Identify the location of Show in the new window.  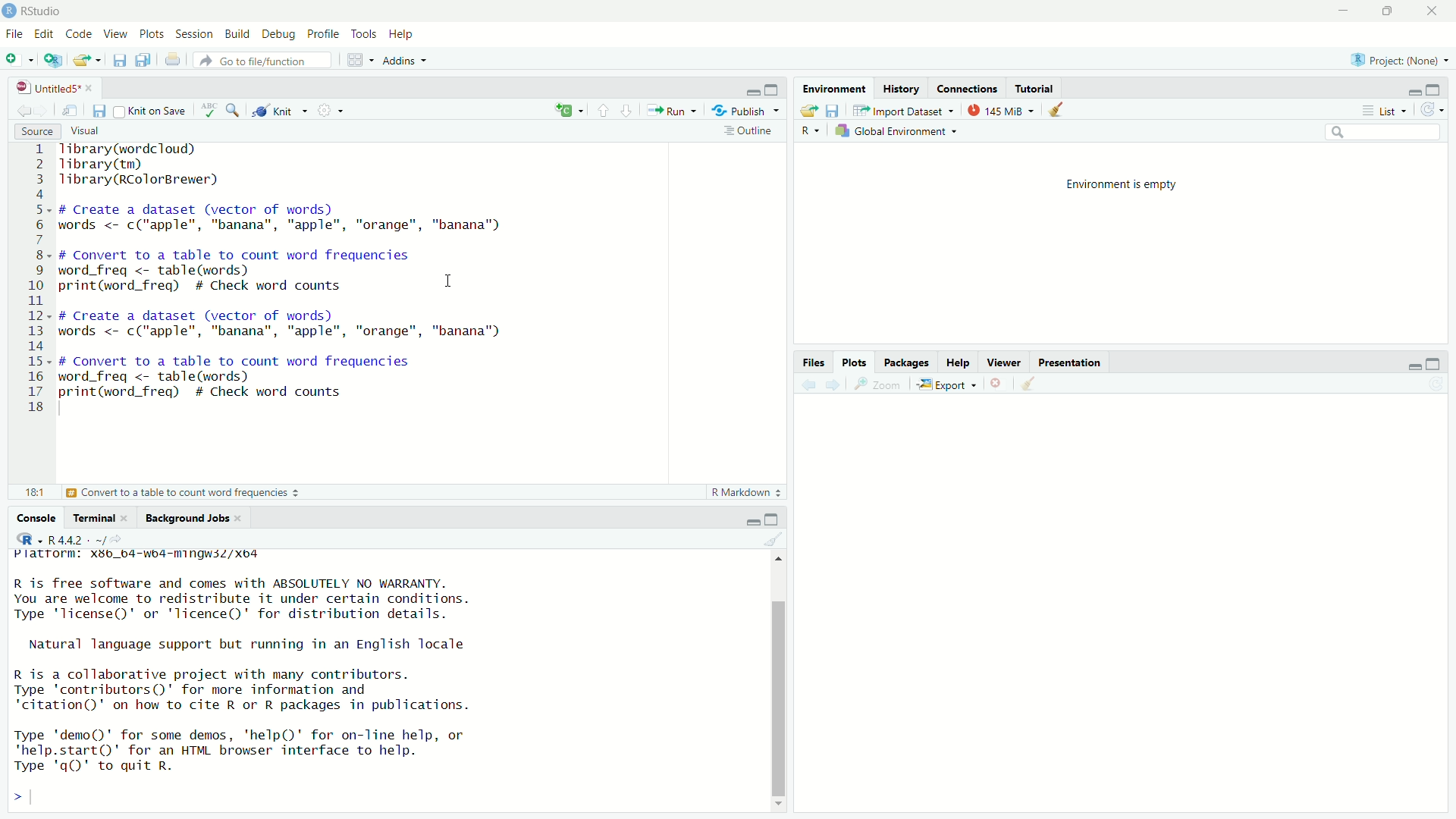
(68, 111).